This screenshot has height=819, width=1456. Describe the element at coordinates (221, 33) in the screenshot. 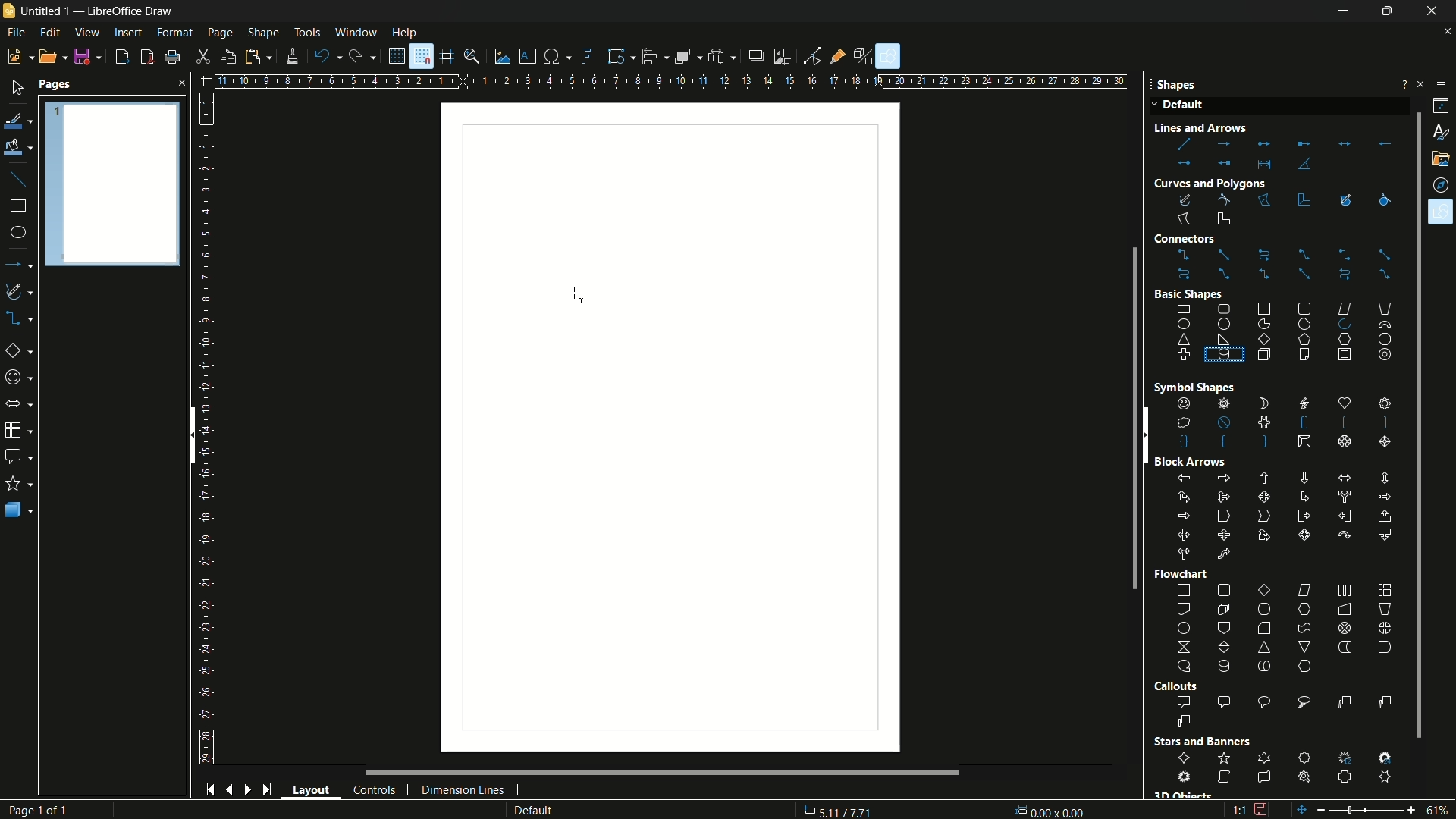

I see `page menu` at that location.